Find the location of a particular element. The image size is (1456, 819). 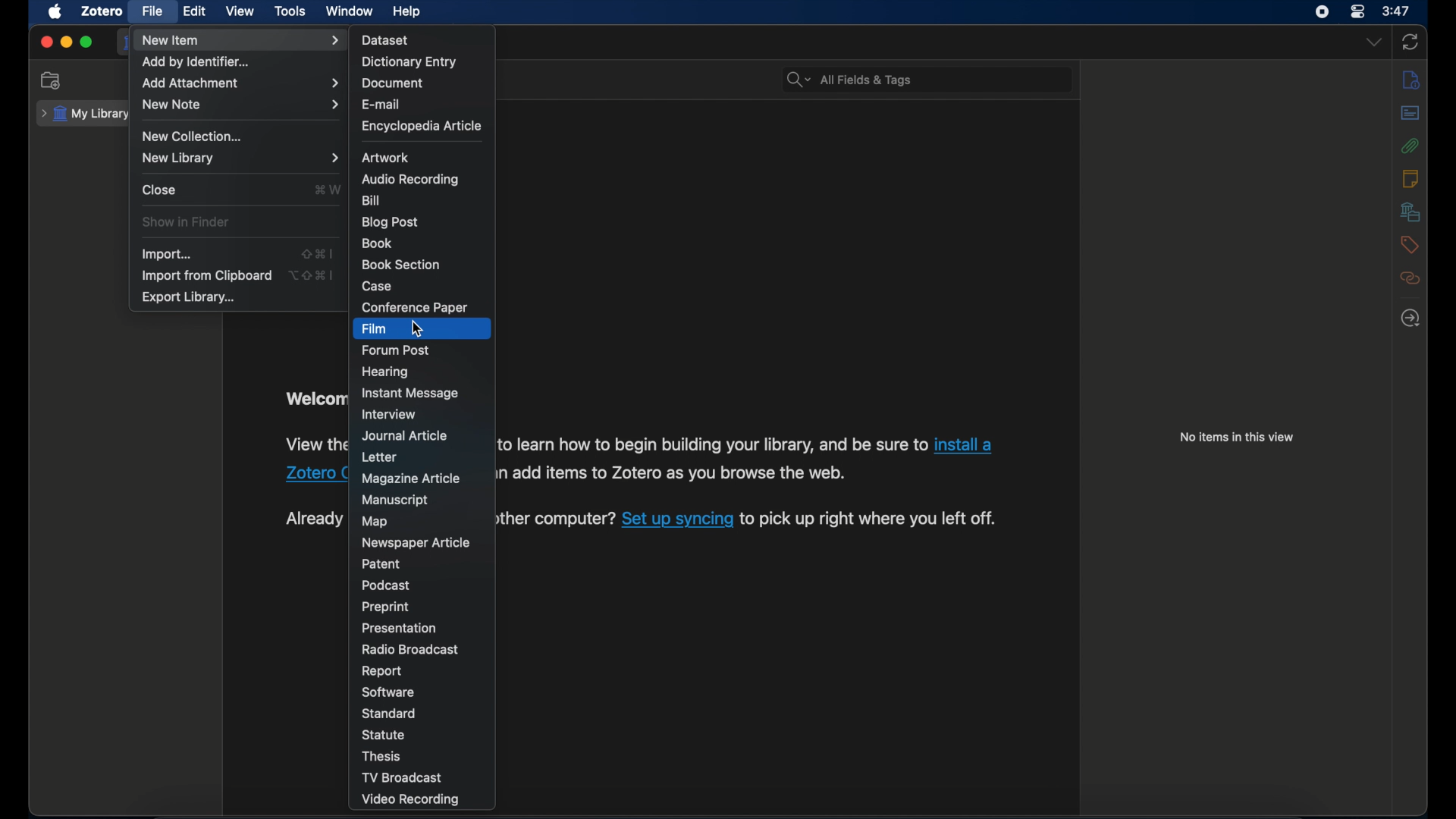

hearing is located at coordinates (387, 372).